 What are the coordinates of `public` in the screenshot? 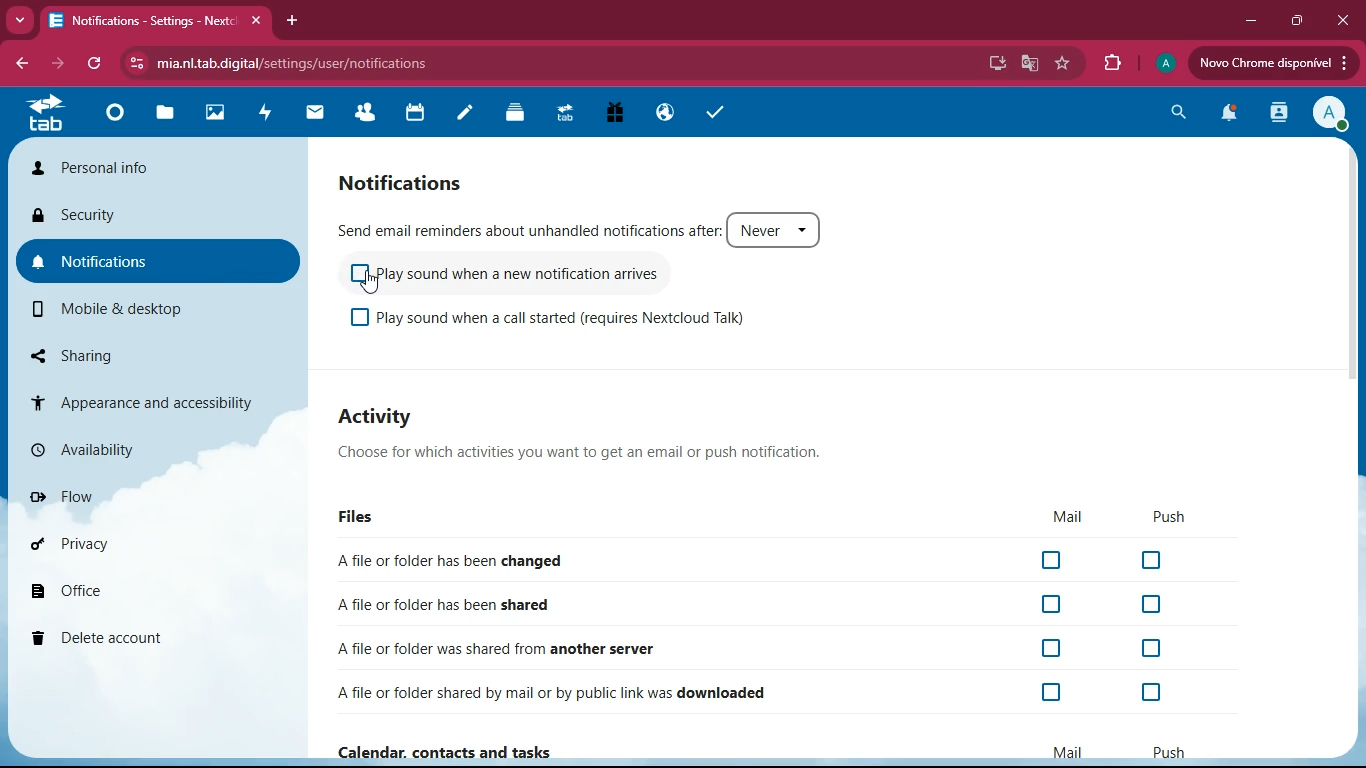 It's located at (661, 111).